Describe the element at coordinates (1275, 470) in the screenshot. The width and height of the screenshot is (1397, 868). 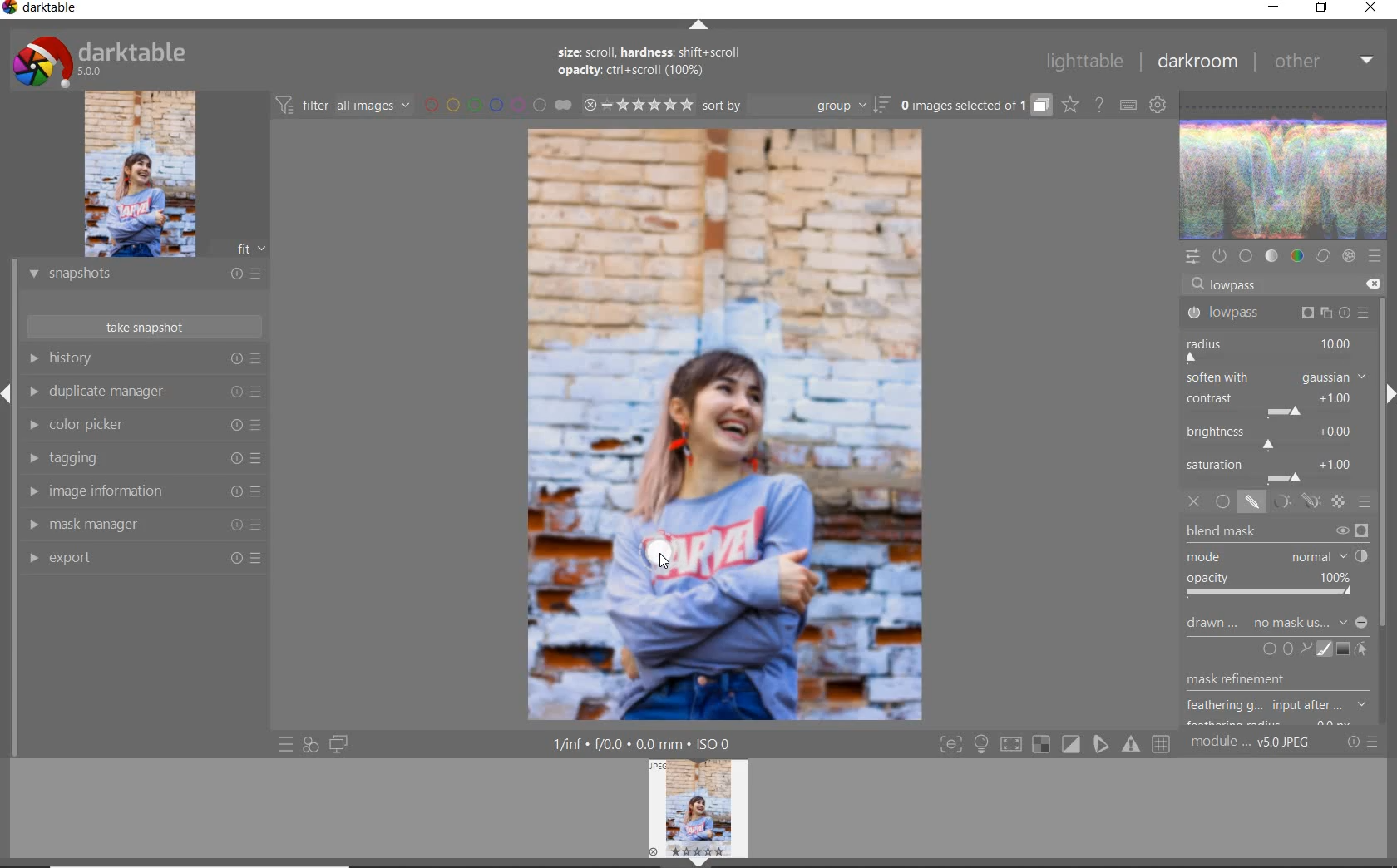
I see `saturation` at that location.